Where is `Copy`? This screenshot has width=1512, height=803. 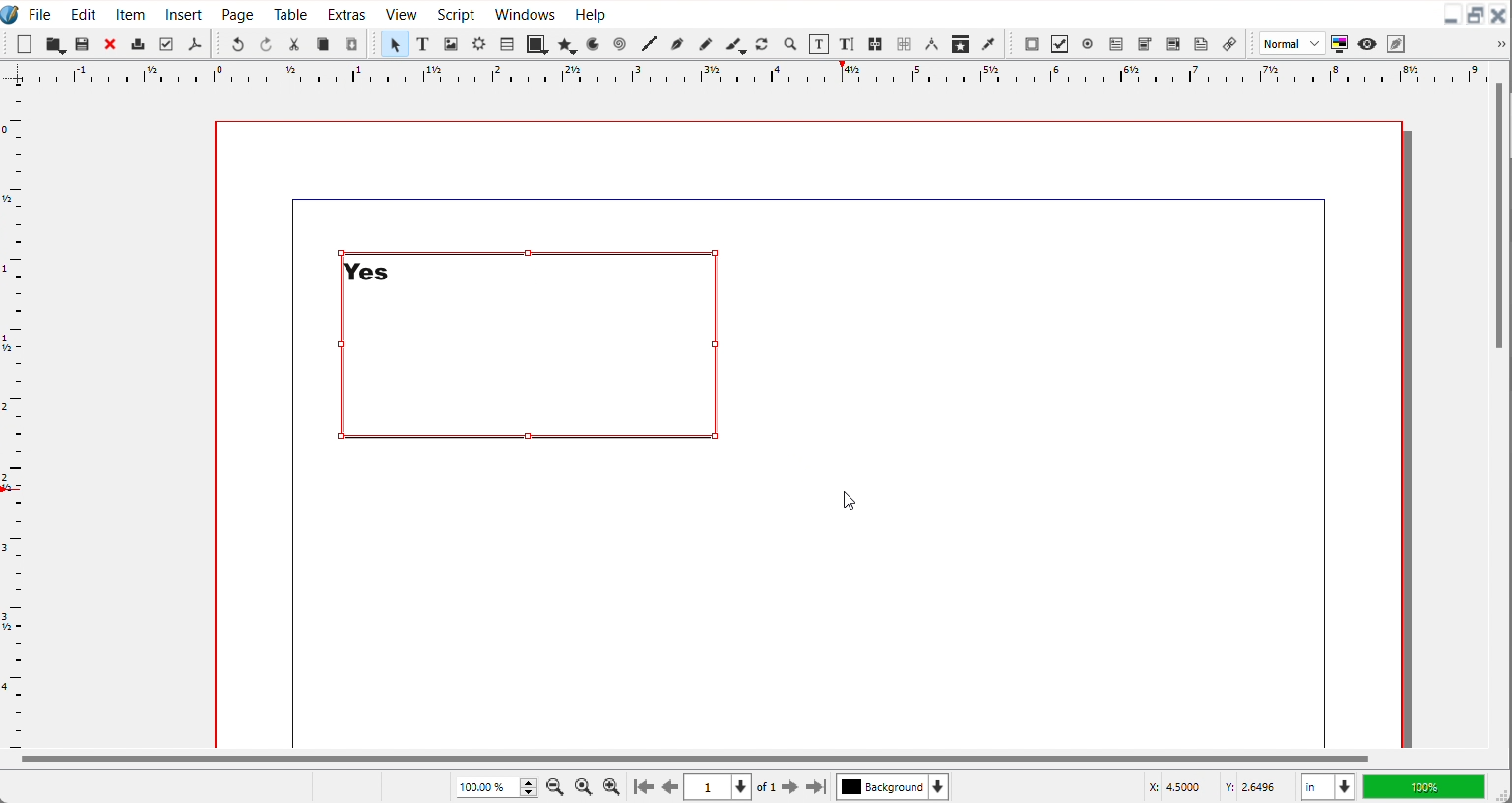
Copy is located at coordinates (323, 44).